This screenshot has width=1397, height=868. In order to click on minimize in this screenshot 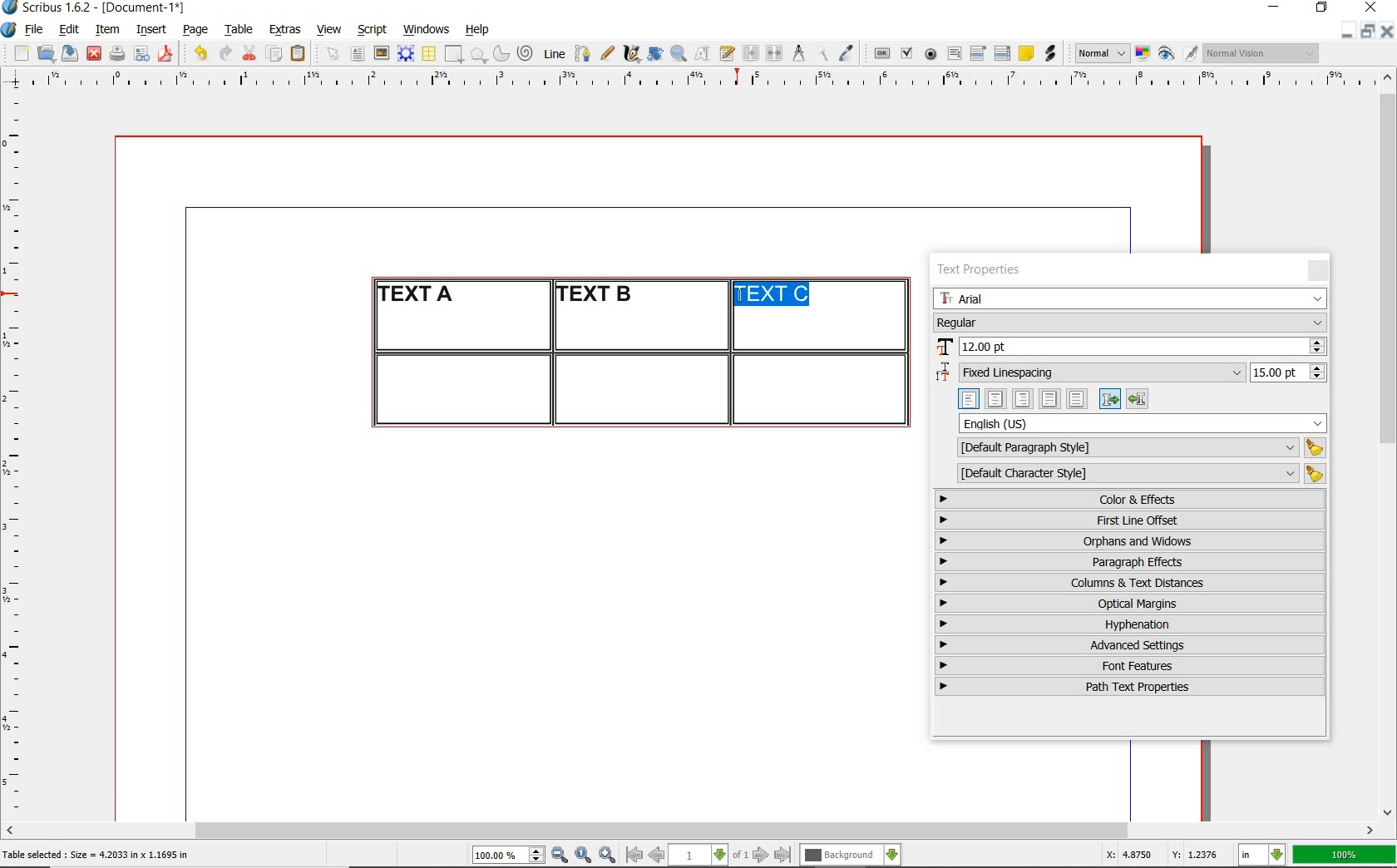, I will do `click(1348, 30)`.